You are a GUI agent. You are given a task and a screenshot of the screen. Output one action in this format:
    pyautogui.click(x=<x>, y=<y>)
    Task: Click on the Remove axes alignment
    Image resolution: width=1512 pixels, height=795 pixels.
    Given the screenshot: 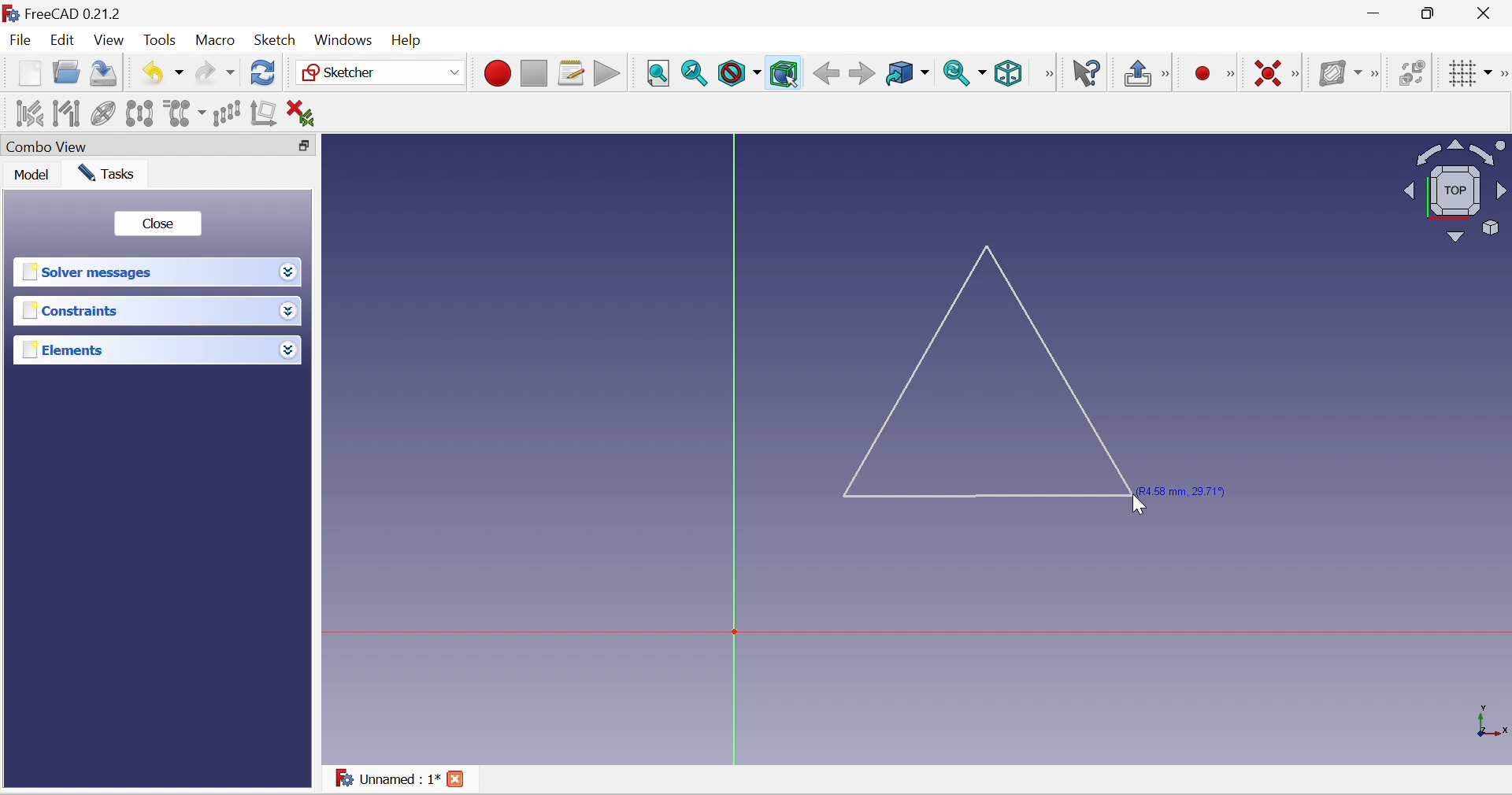 What is the action you would take?
    pyautogui.click(x=264, y=112)
    